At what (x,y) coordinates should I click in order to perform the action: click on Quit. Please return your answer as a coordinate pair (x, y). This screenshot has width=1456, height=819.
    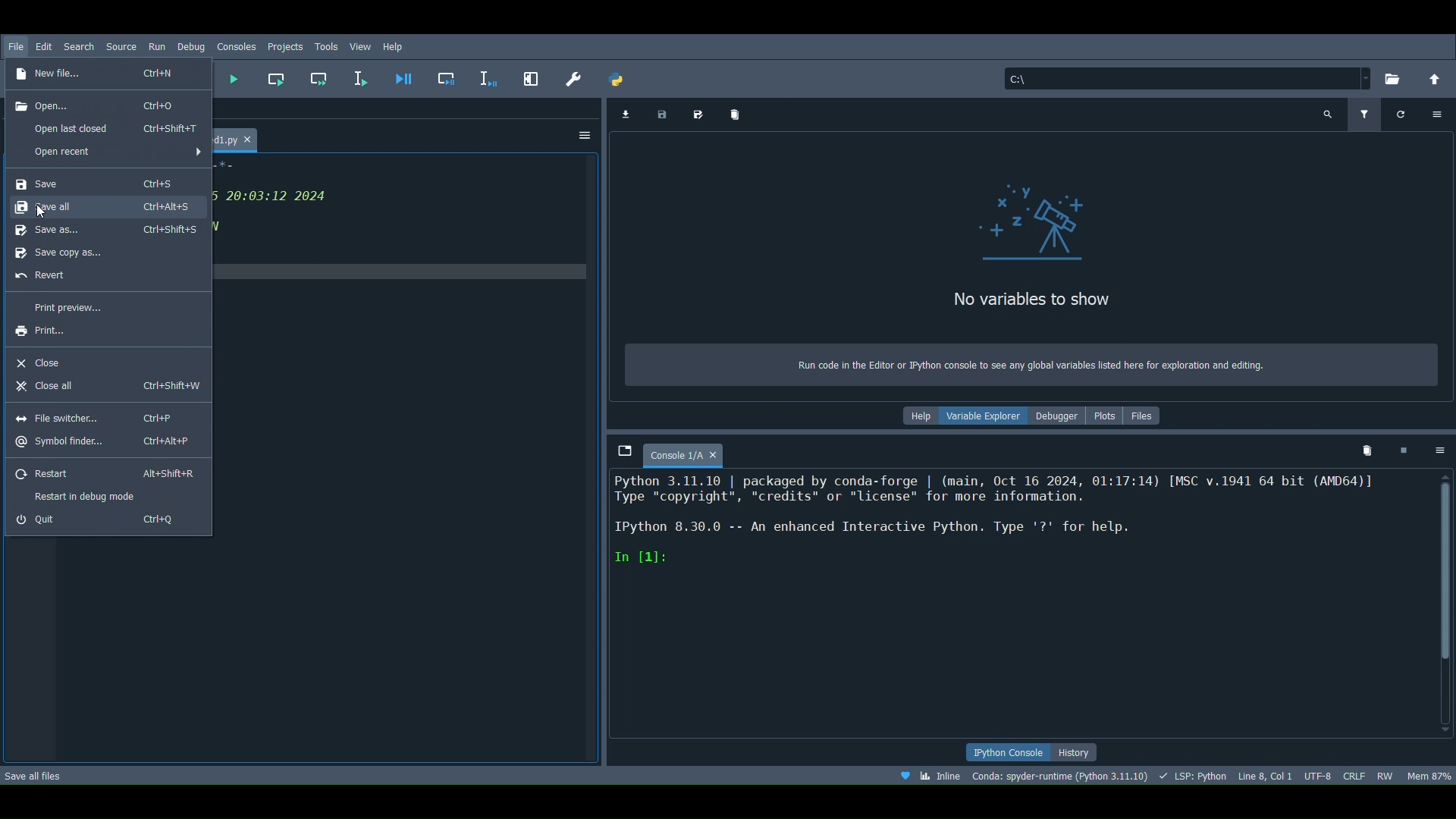
    Looking at the image, I should click on (100, 518).